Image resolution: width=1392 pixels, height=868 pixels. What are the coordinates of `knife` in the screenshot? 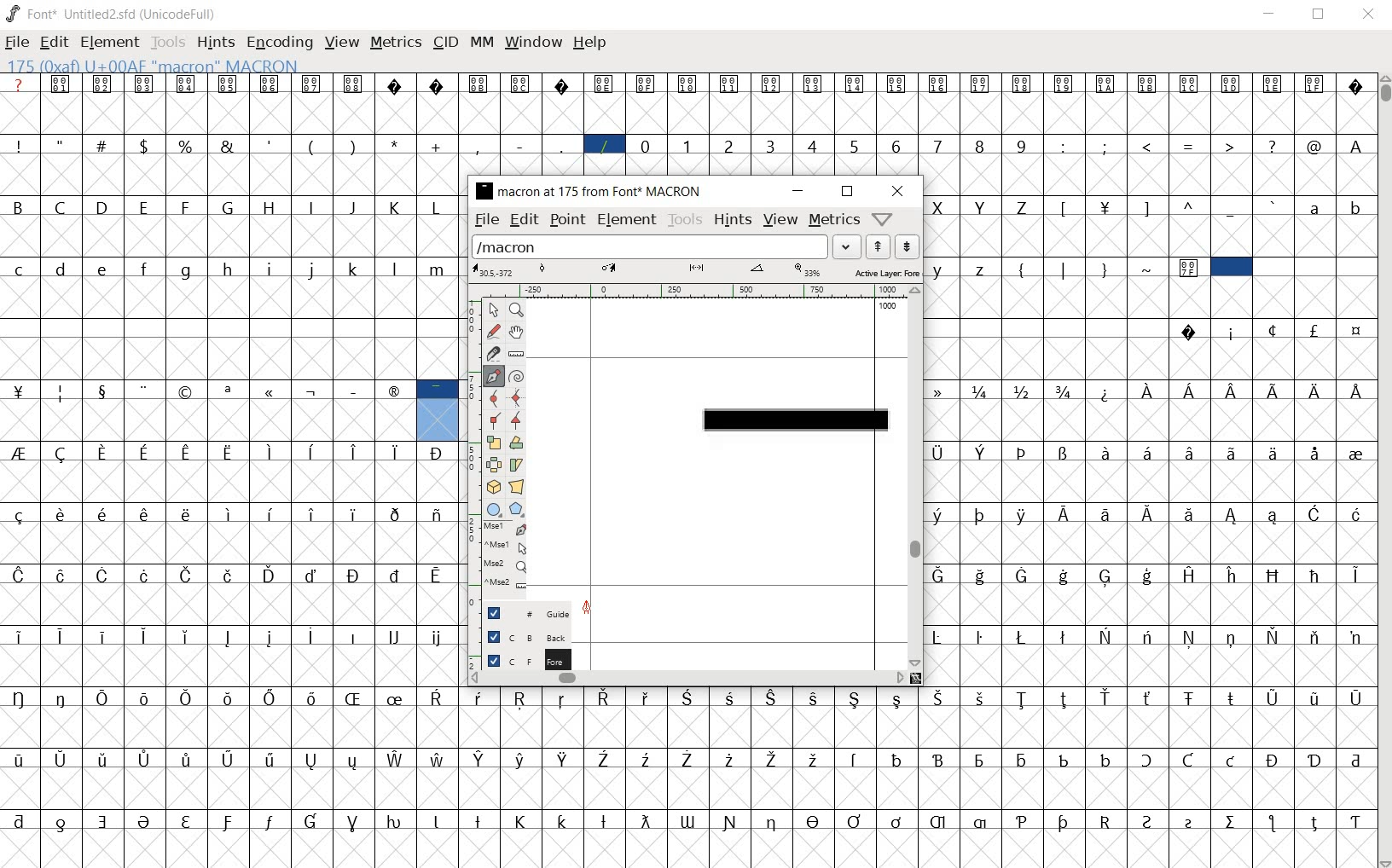 It's located at (492, 354).